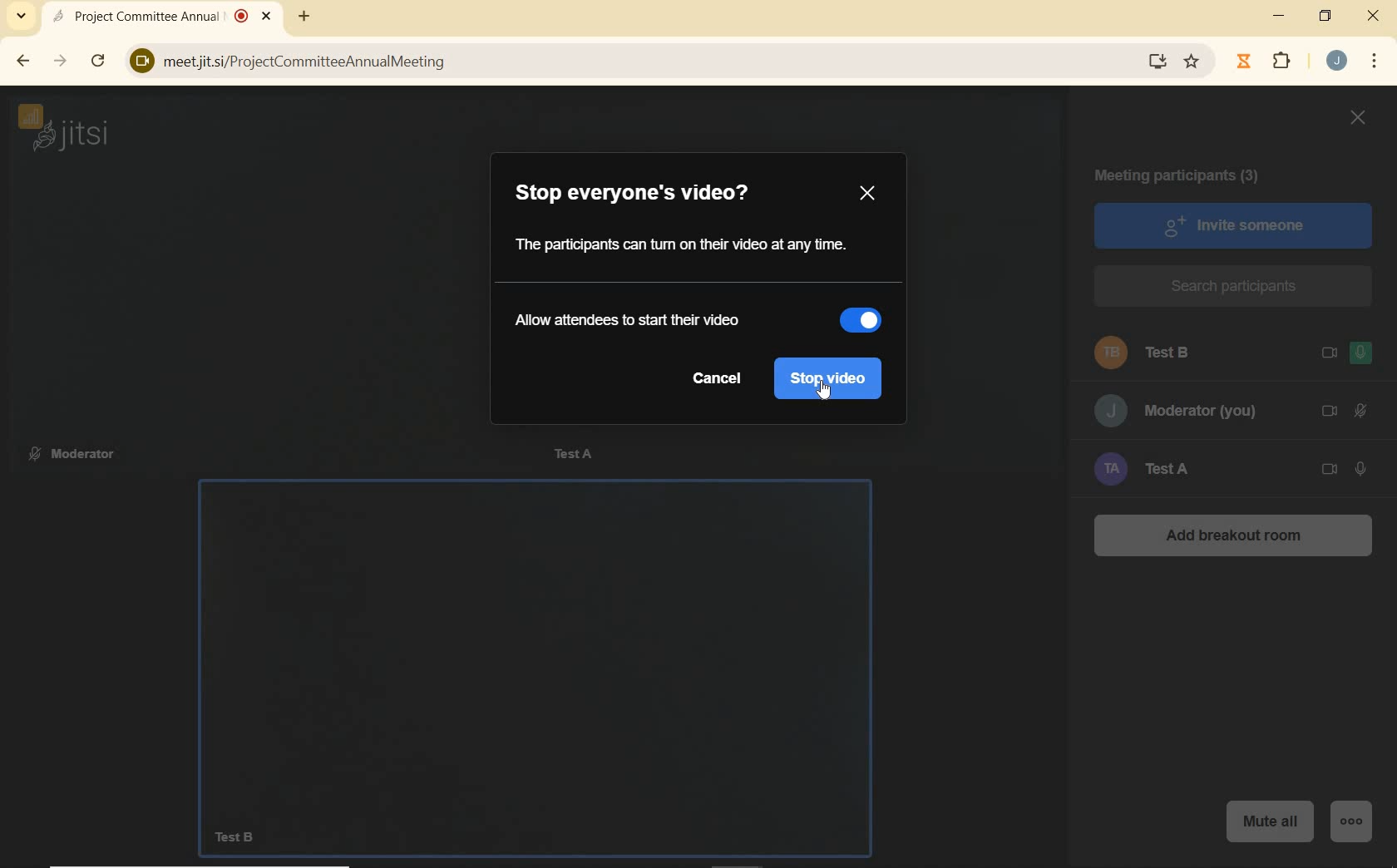 The height and width of the screenshot is (868, 1397). Describe the element at coordinates (136, 60) in the screenshot. I see `View site information` at that location.